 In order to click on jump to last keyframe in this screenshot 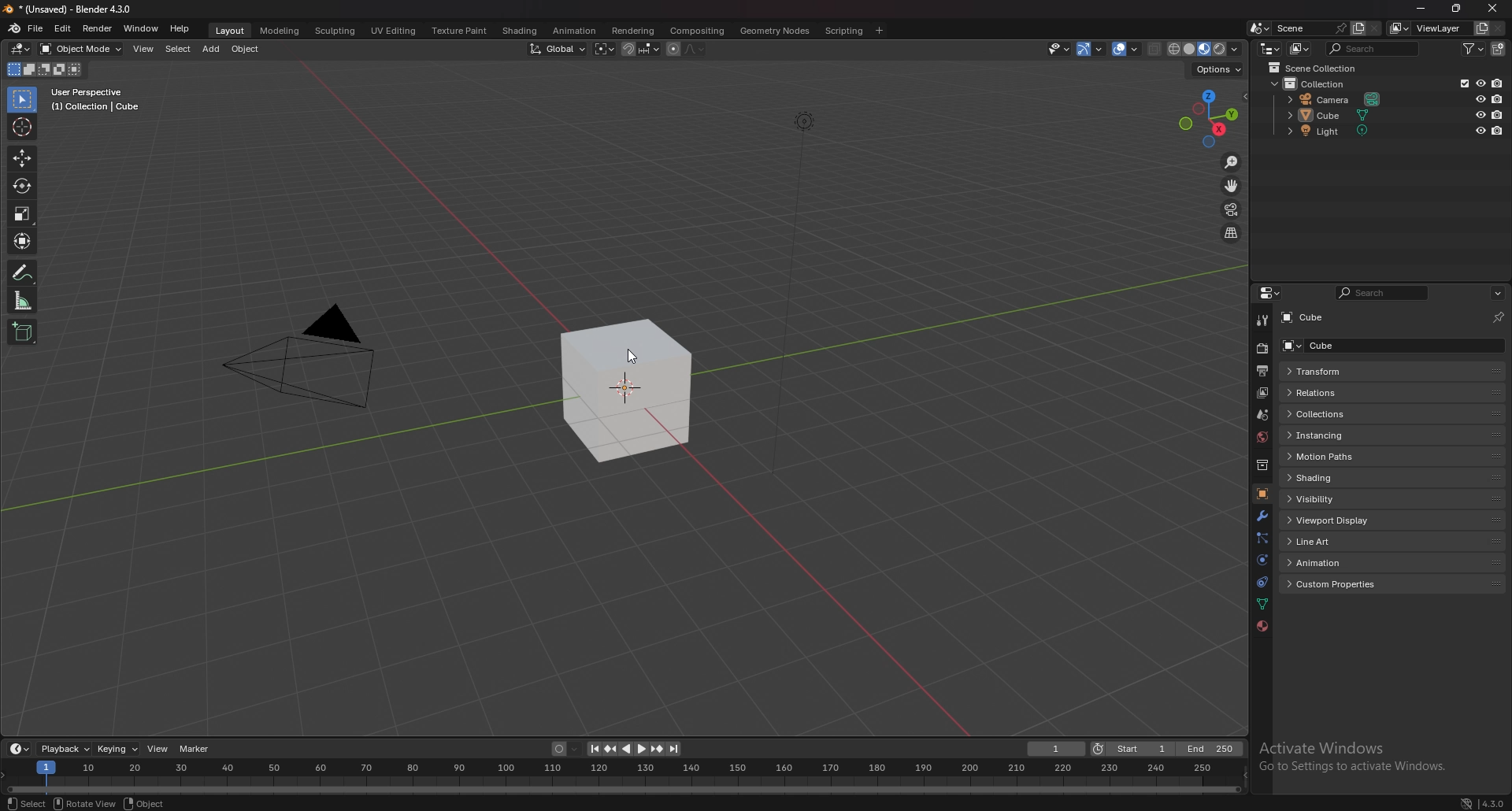, I will do `click(656, 749)`.